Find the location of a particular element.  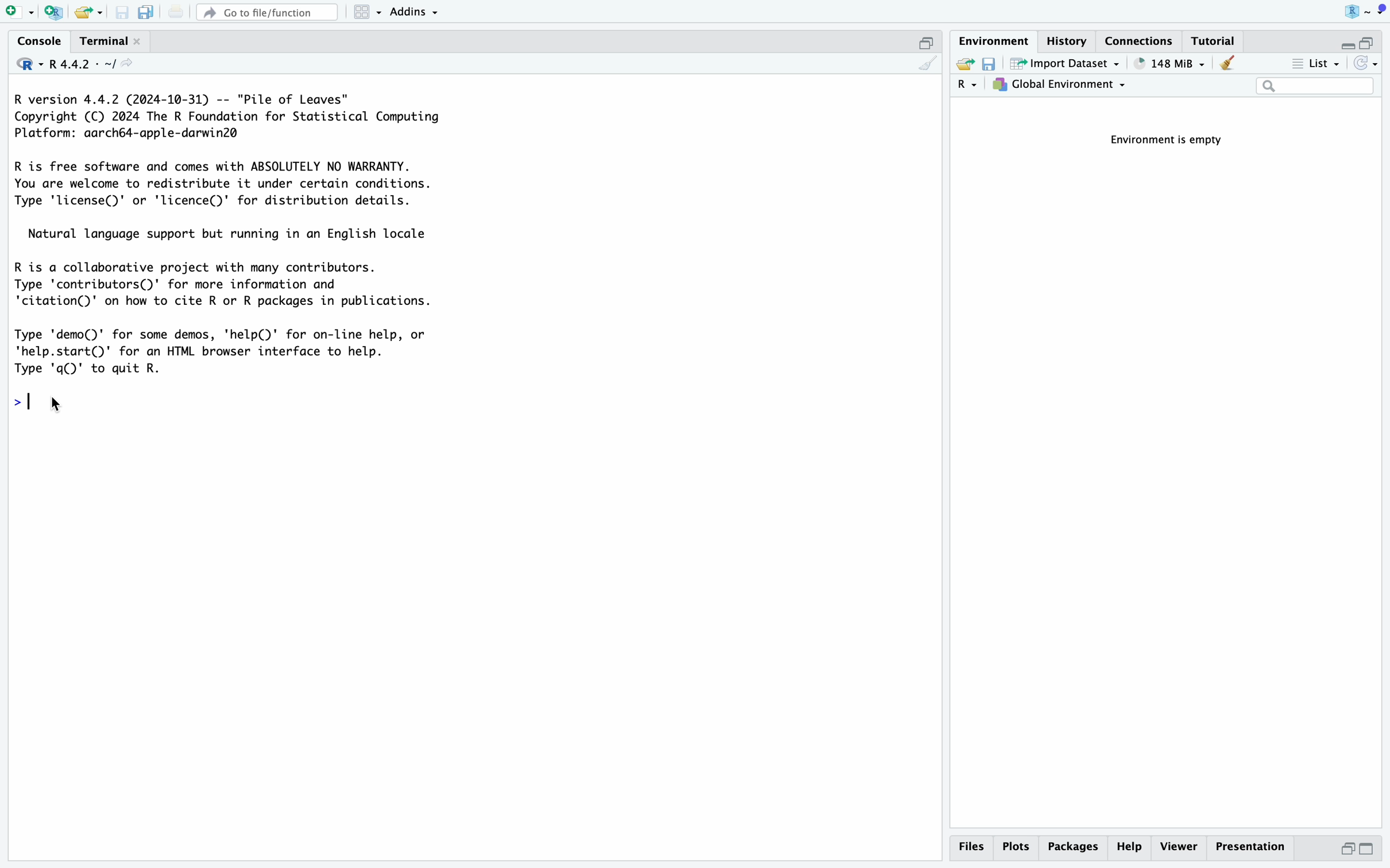

create a project is located at coordinates (52, 11).